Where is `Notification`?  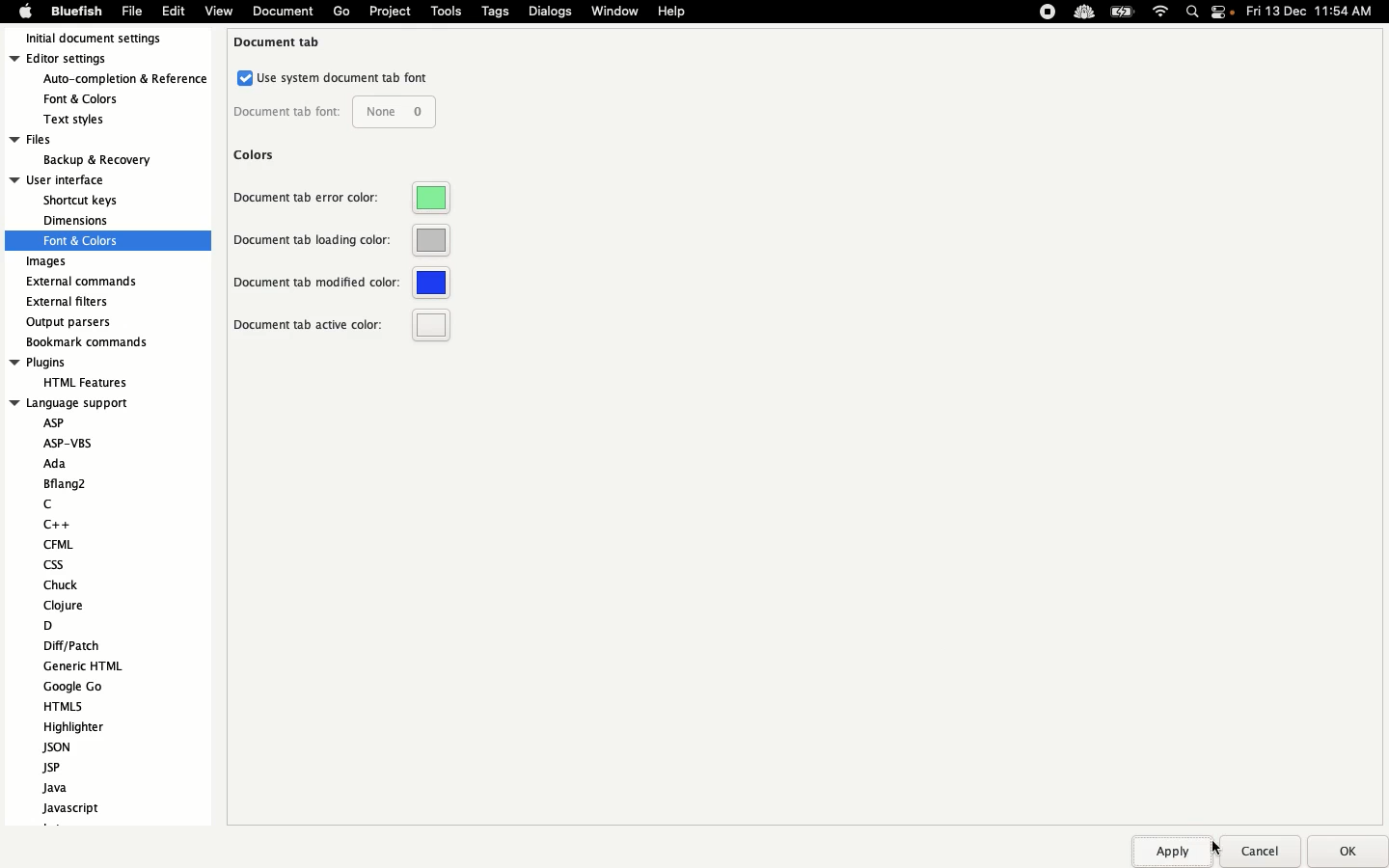
Notification is located at coordinates (1224, 14).